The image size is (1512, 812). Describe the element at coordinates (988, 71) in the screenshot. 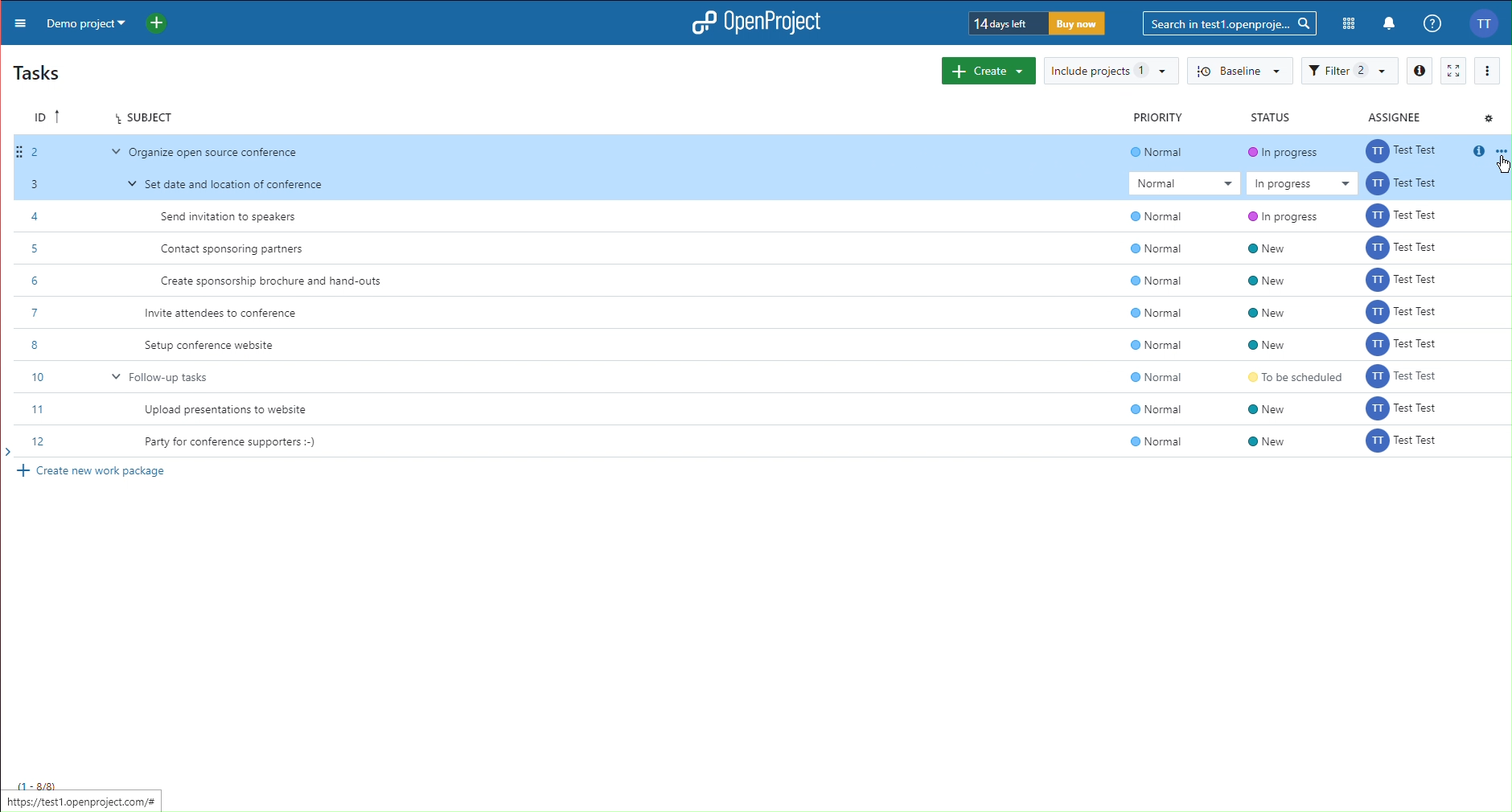

I see `Create` at that location.